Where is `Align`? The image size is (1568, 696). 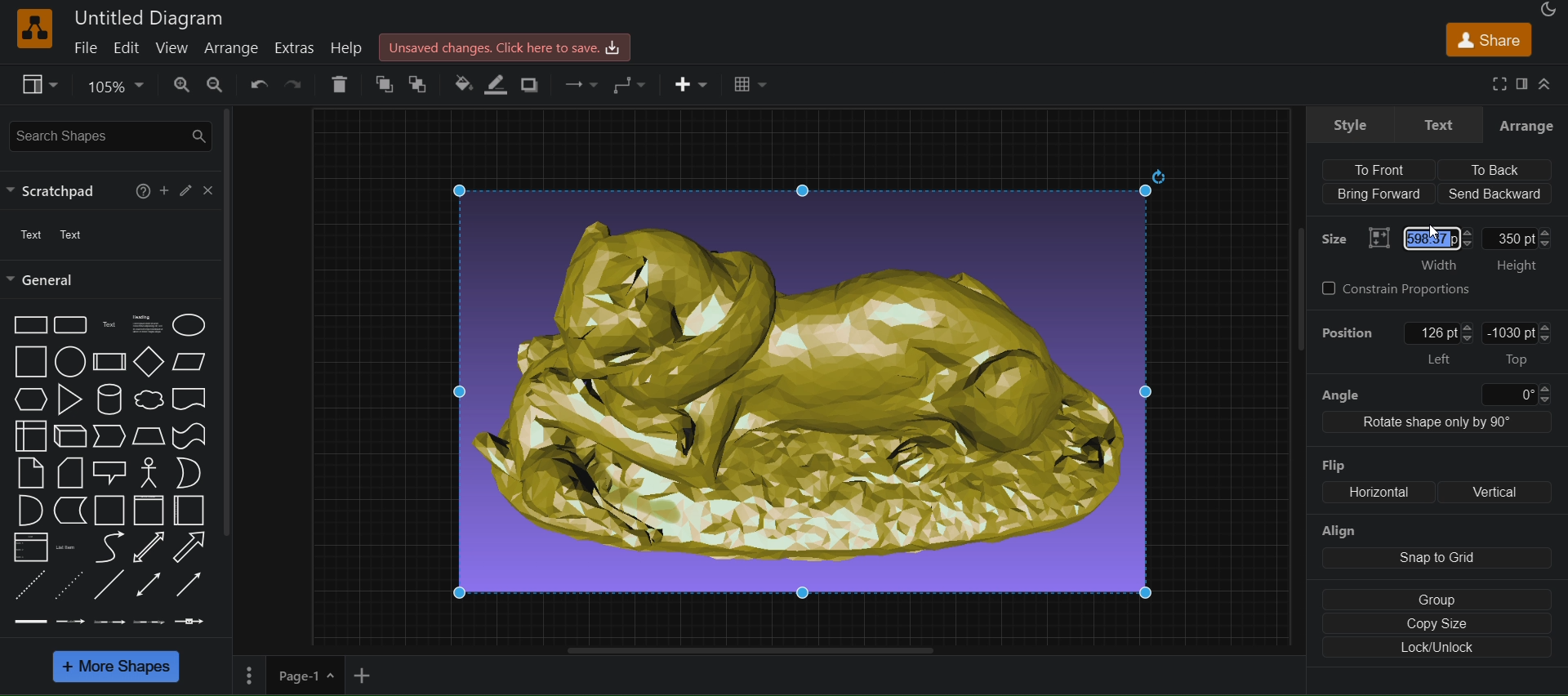 Align is located at coordinates (1340, 532).